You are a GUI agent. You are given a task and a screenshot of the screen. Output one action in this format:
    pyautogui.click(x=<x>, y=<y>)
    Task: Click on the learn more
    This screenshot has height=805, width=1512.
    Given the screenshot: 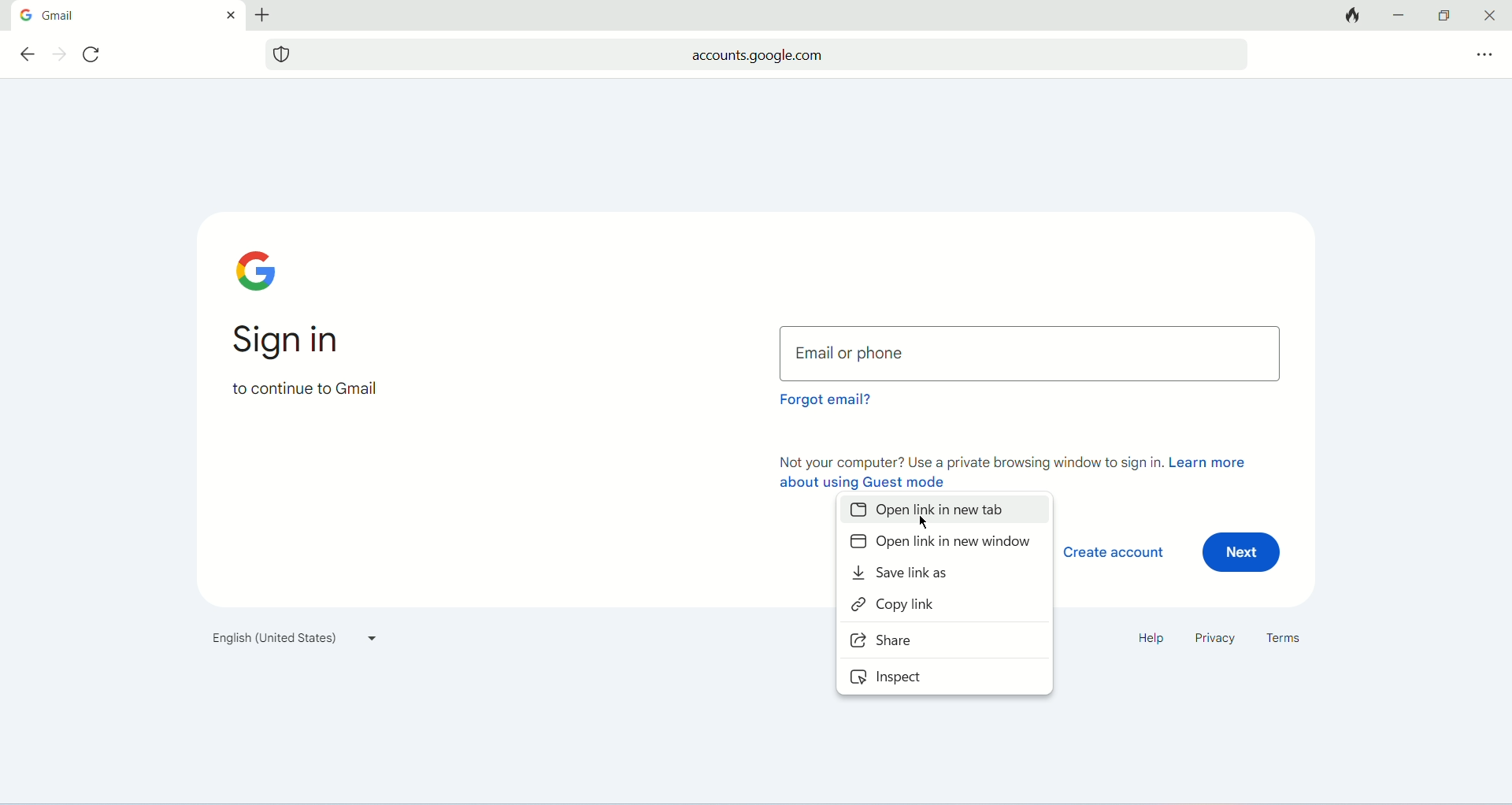 What is the action you would take?
    pyautogui.click(x=1211, y=463)
    